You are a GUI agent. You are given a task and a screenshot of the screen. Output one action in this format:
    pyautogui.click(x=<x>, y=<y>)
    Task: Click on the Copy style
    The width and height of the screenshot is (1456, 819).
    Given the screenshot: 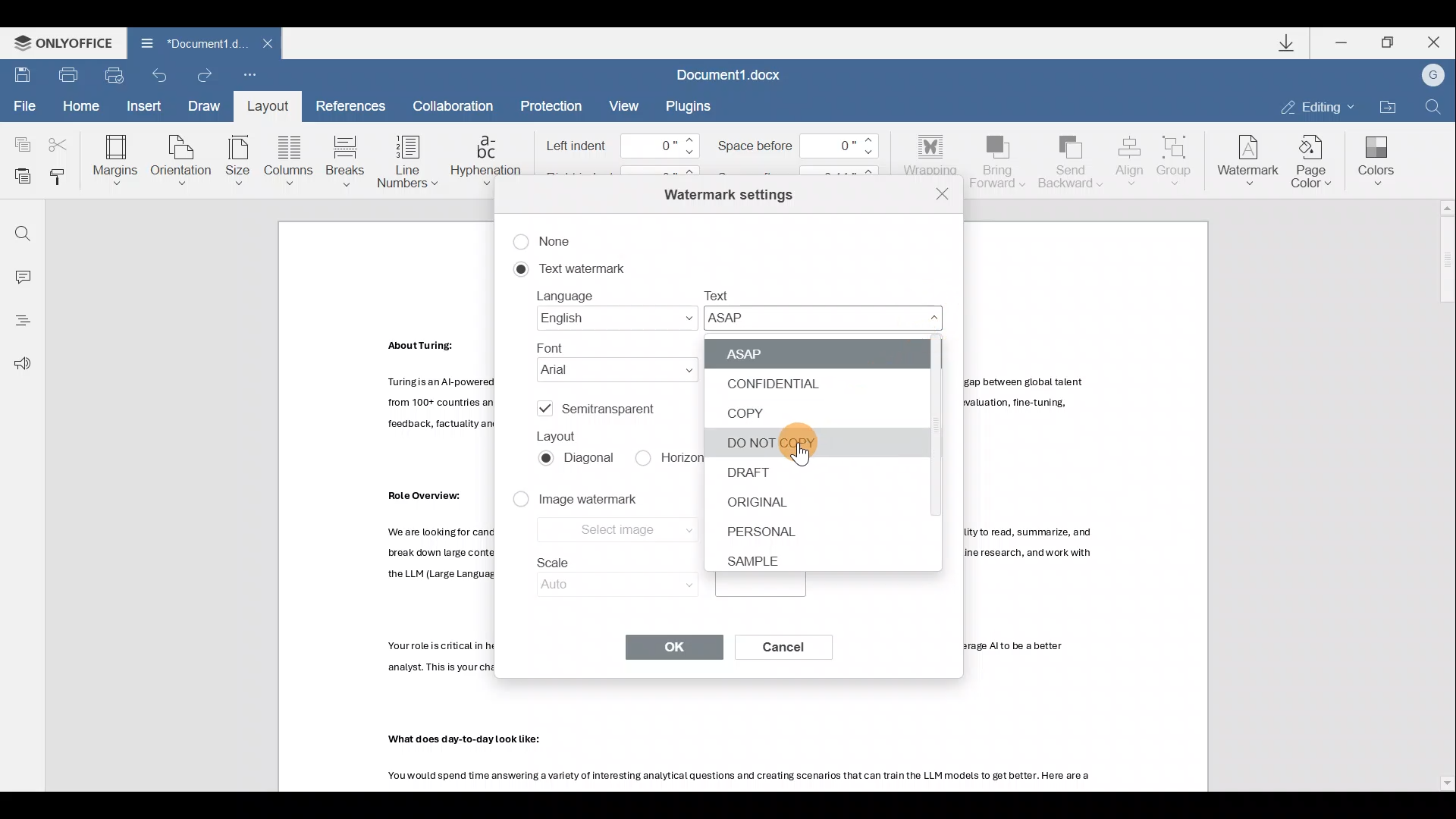 What is the action you would take?
    pyautogui.click(x=62, y=179)
    